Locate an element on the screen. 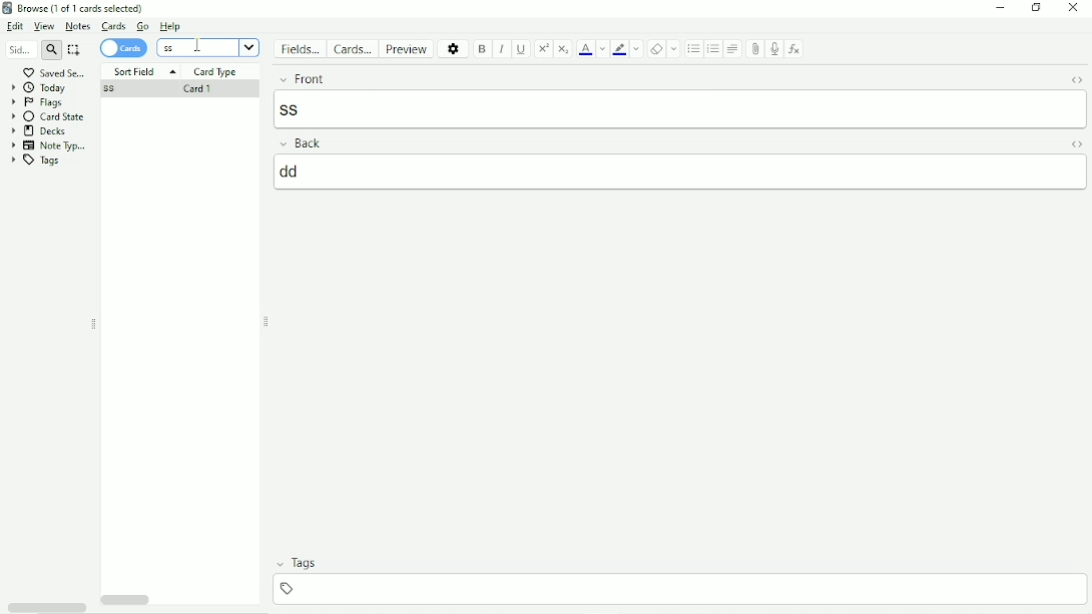 This screenshot has width=1092, height=614. Select is located at coordinates (74, 50).